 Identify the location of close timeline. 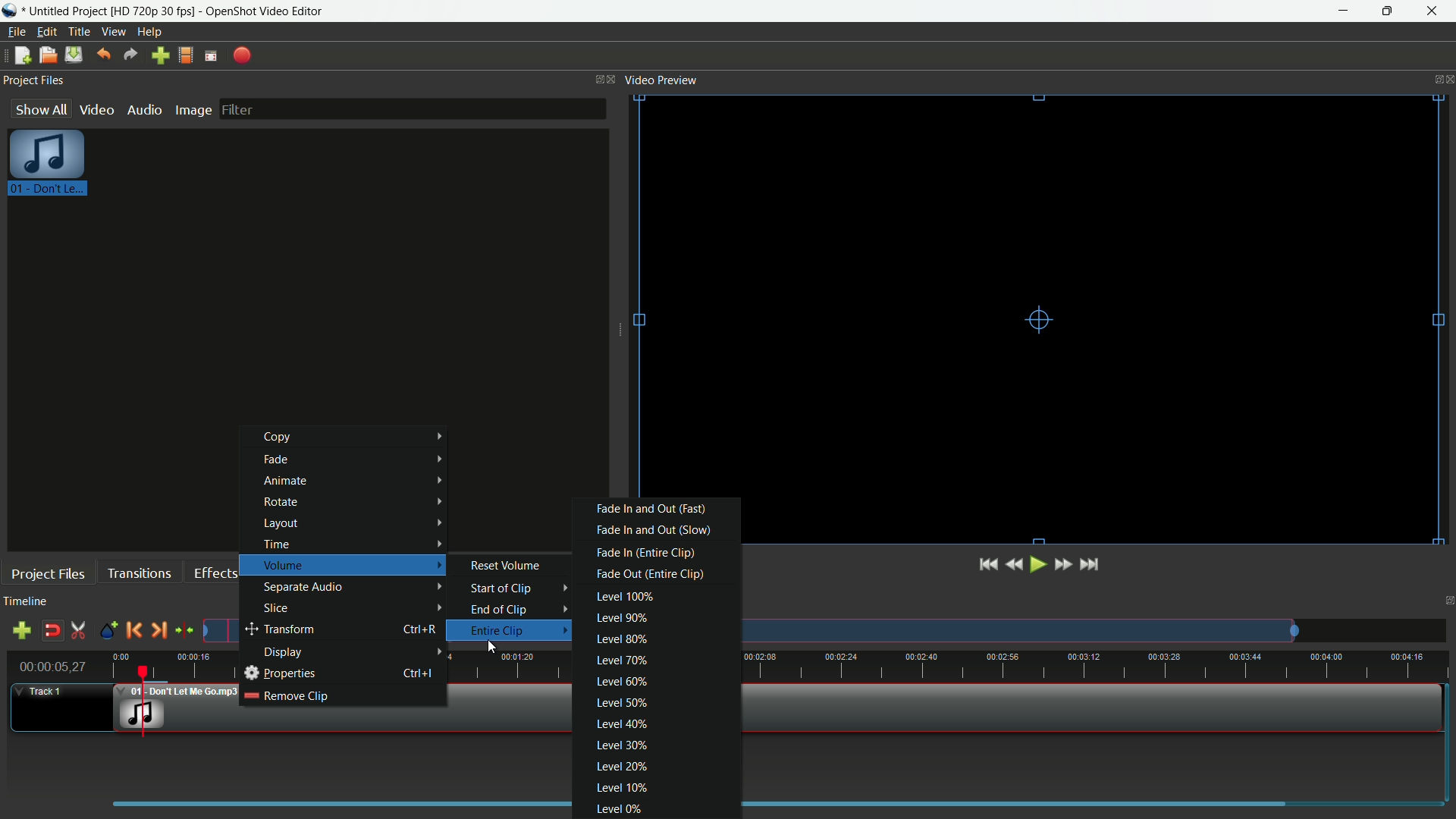
(1447, 603).